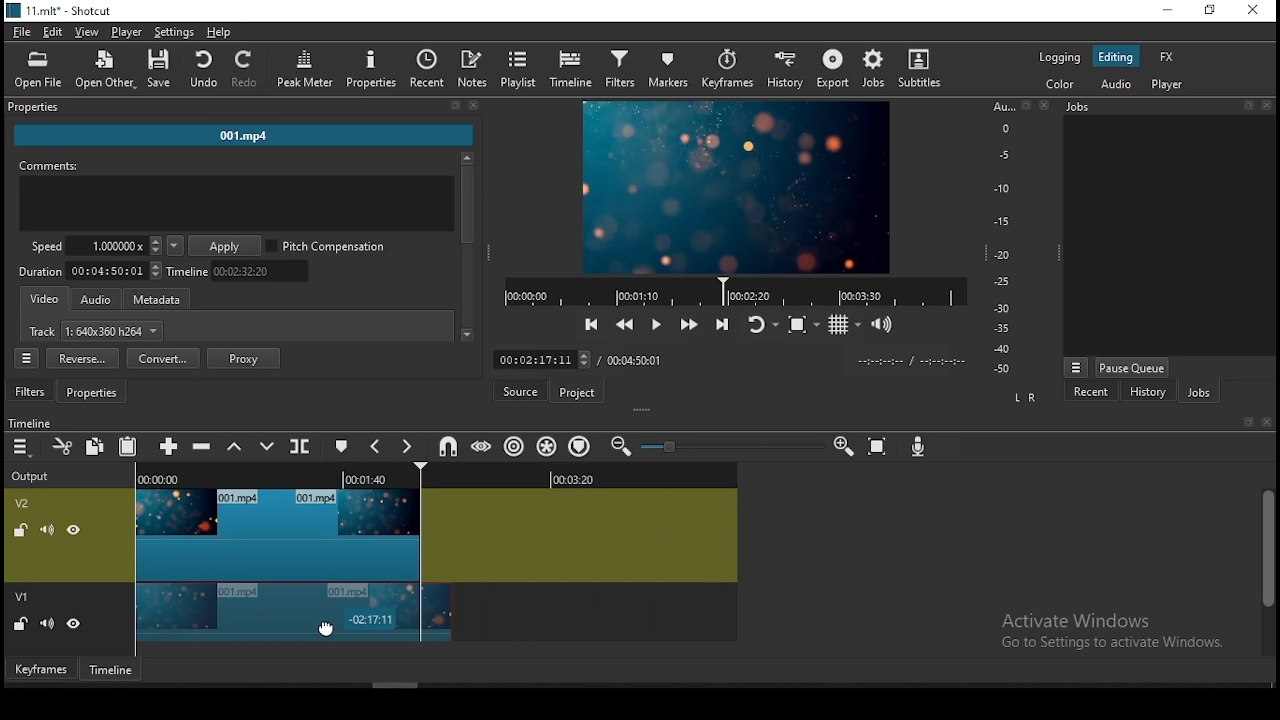  I want to click on (UN)HIDE, so click(75, 626).